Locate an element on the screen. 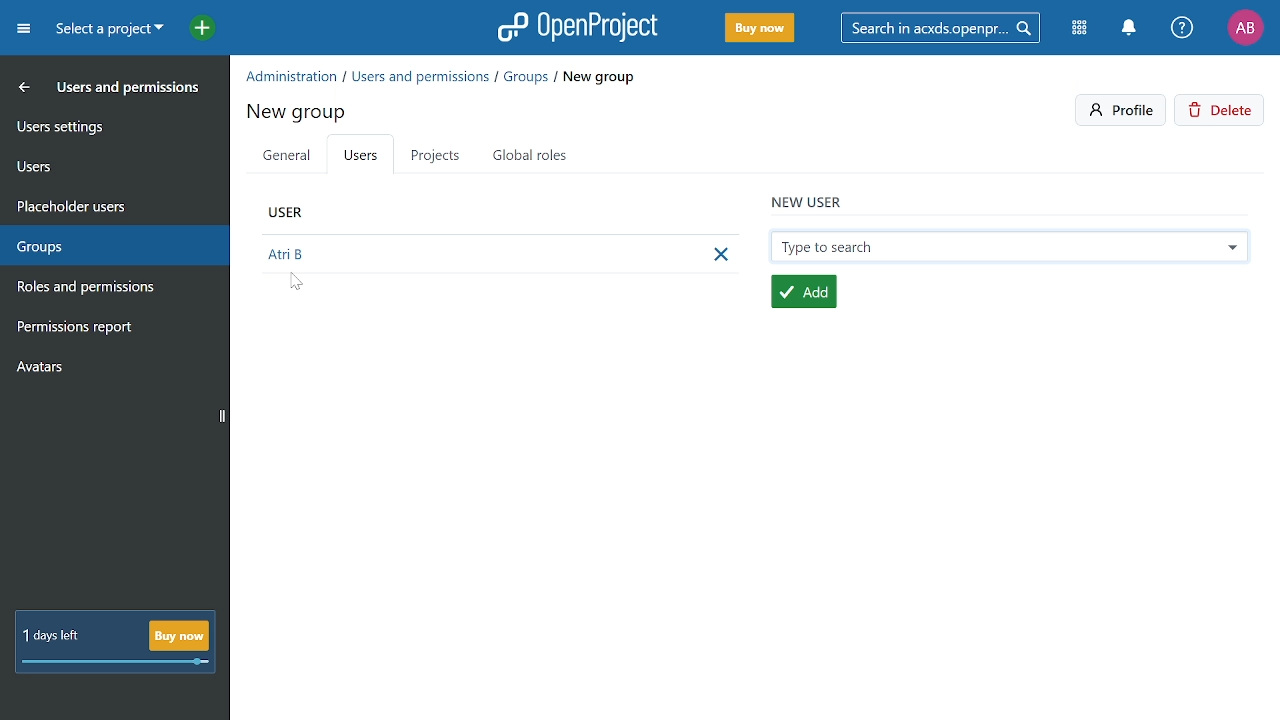 The image size is (1280, 720). Buy now is located at coordinates (758, 29).